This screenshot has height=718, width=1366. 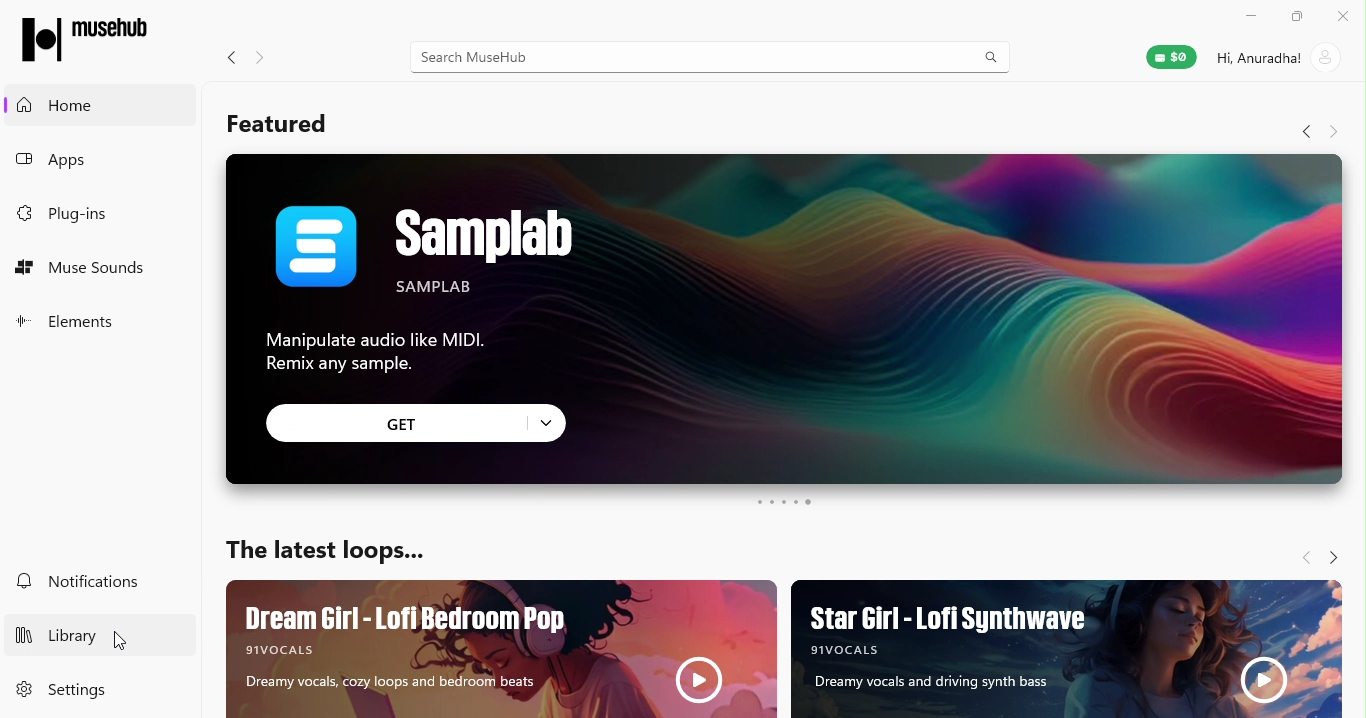 What do you see at coordinates (317, 544) in the screenshot?
I see `Latest loops` at bounding box center [317, 544].